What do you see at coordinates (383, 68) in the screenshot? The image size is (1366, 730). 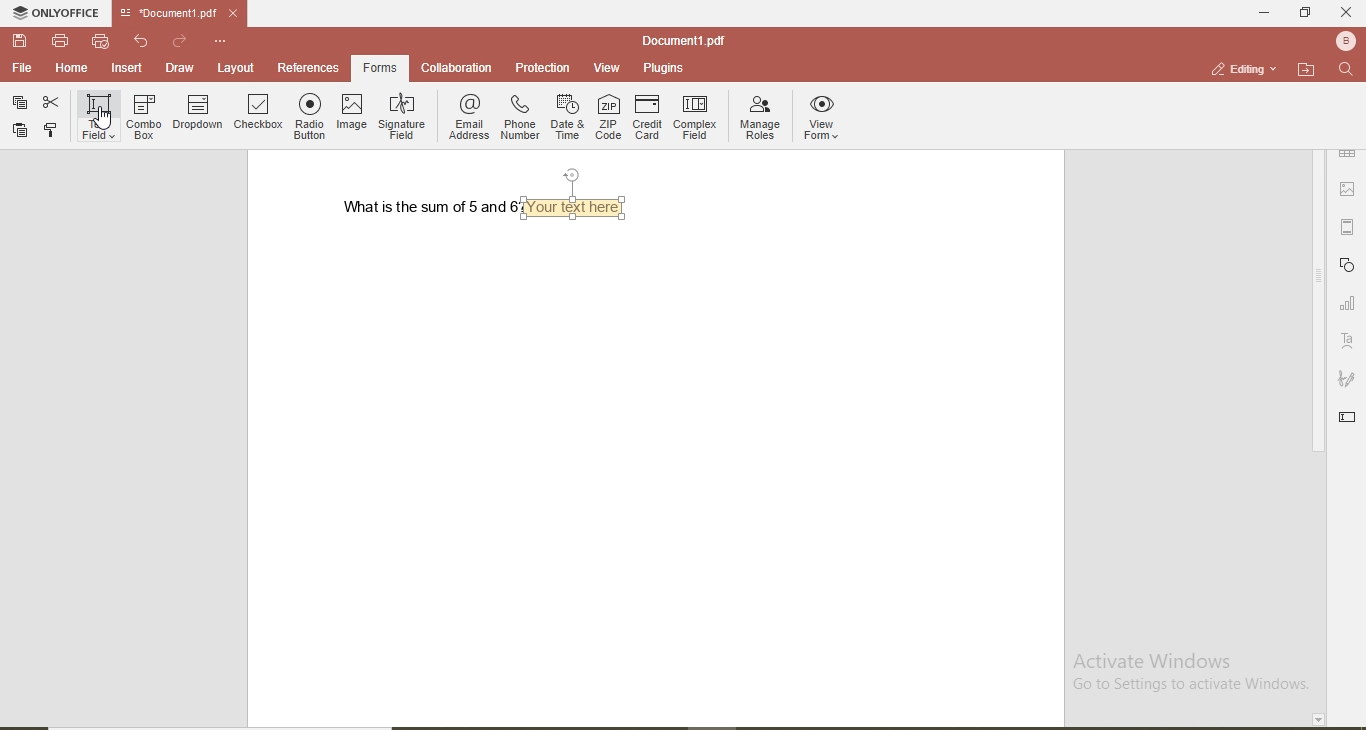 I see `highlighted` at bounding box center [383, 68].